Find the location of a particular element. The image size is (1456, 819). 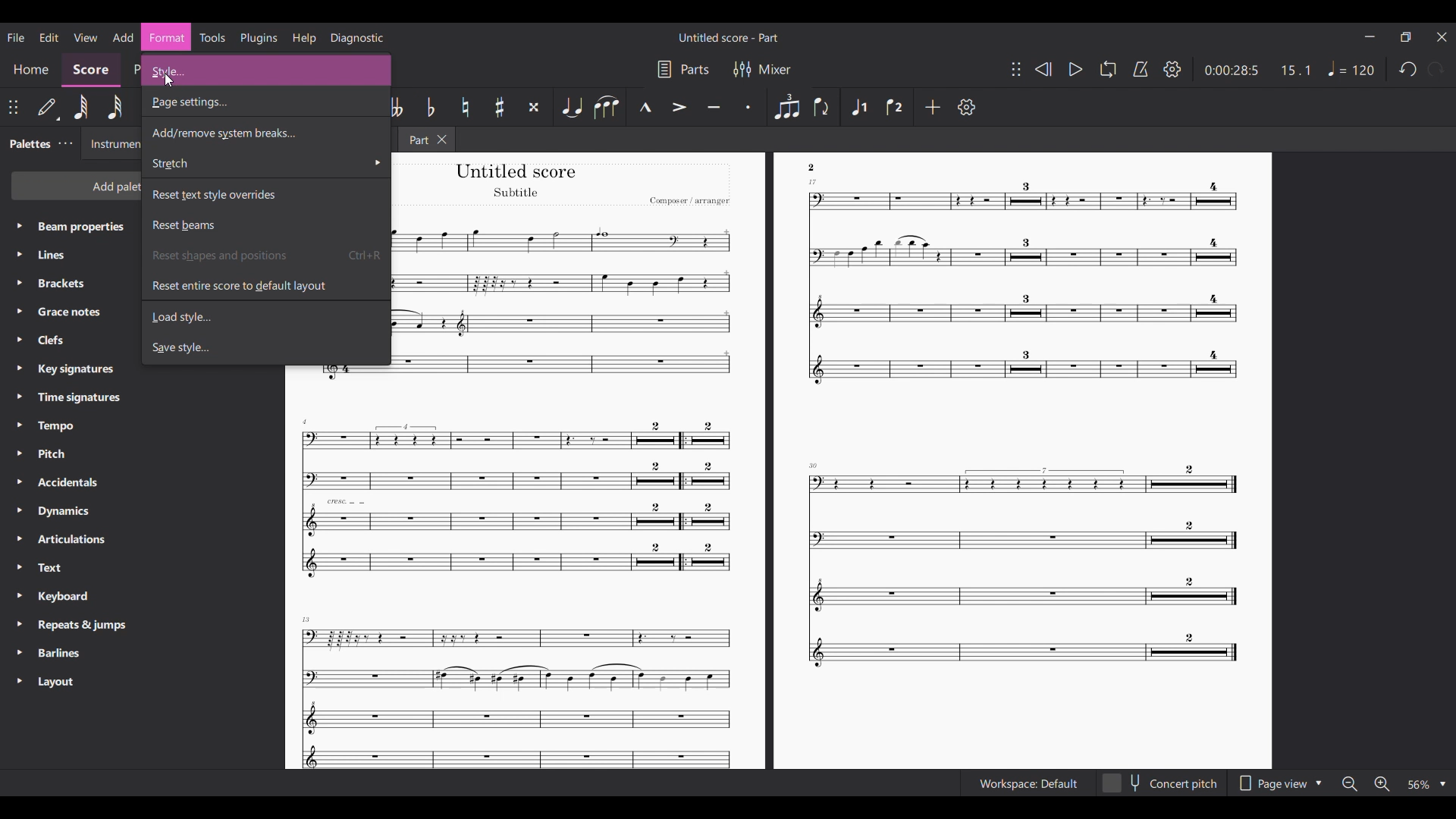

Time signatures is located at coordinates (72, 399).